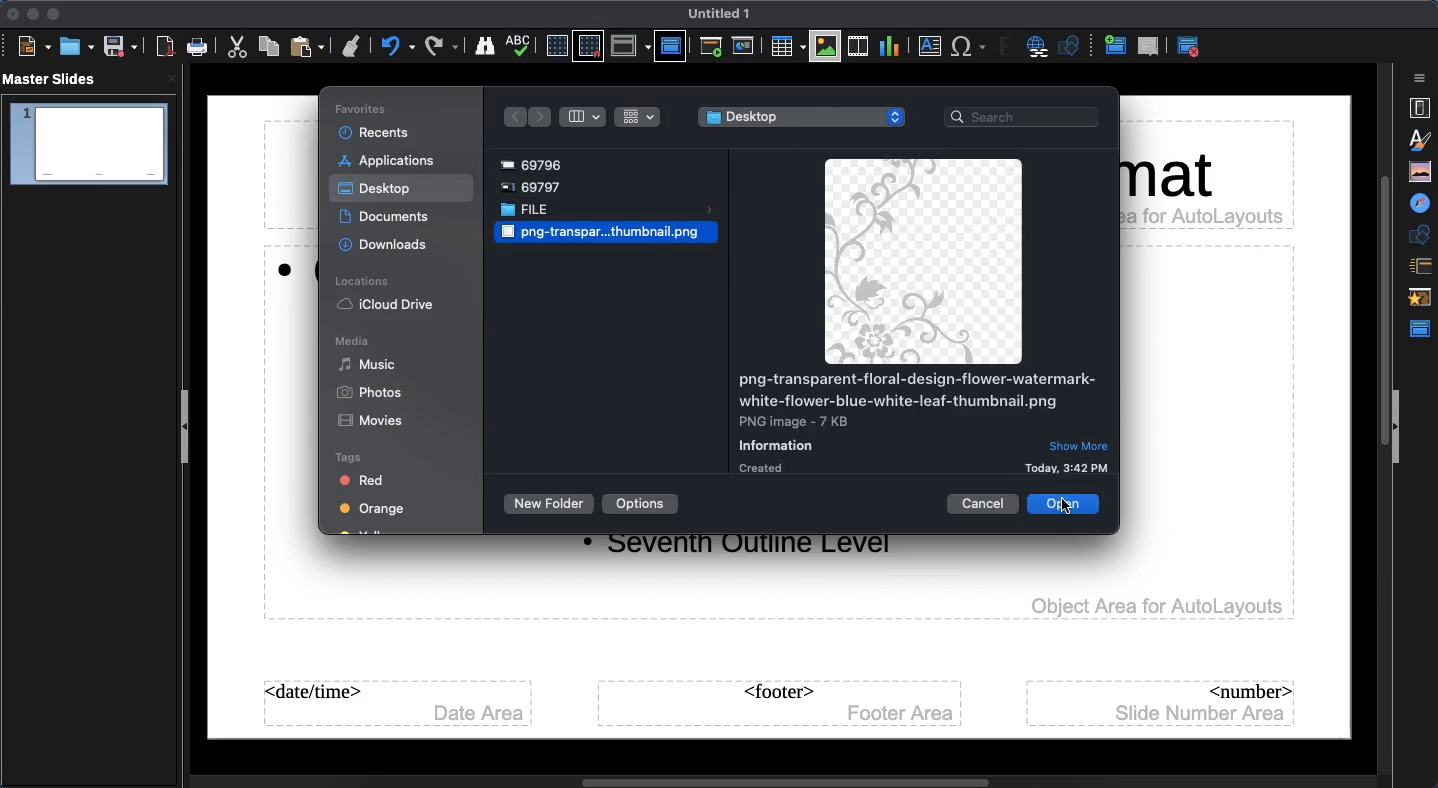 This screenshot has height=788, width=1438. I want to click on horizontal Scrollbar, so click(748, 779).